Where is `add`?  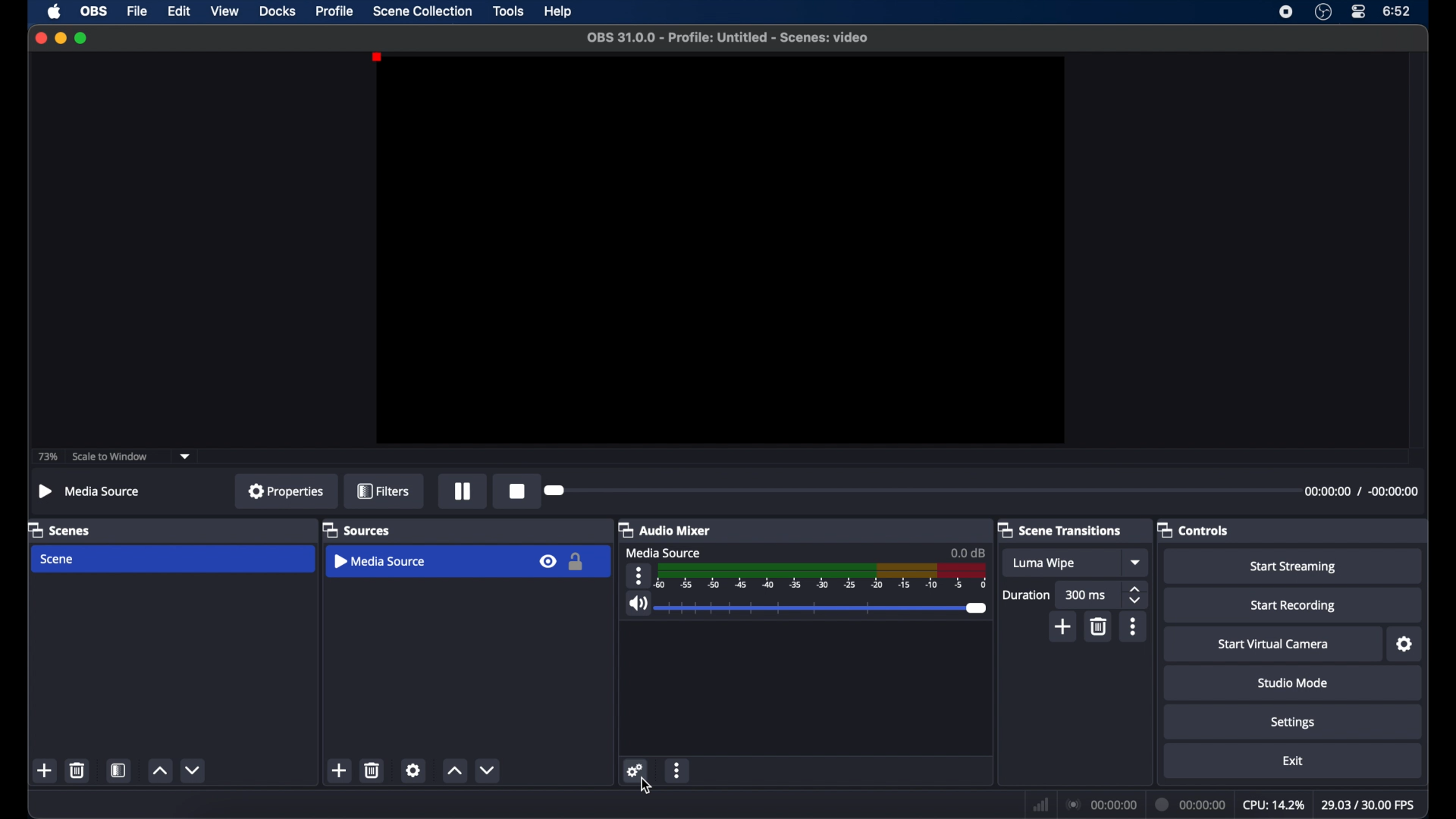
add is located at coordinates (338, 770).